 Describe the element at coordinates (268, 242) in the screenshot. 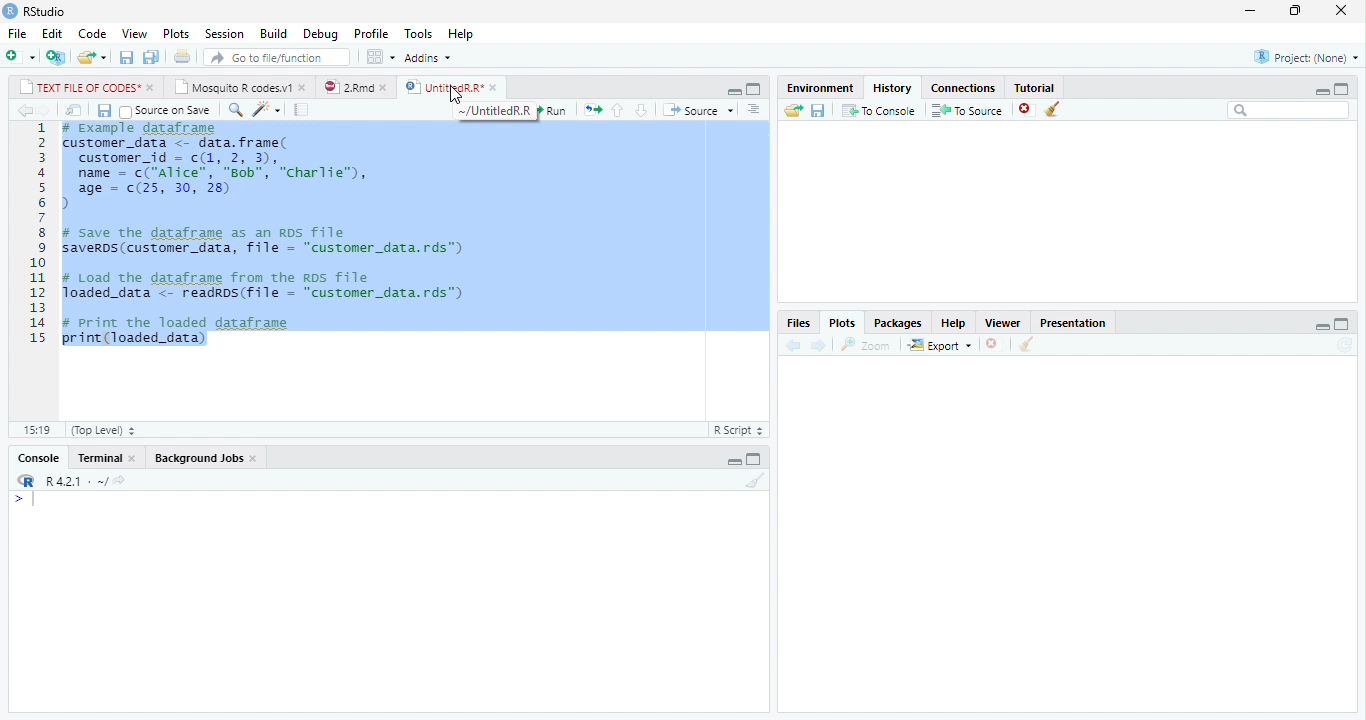

I see `# Save the dataframe as an RDS file
saverDs(customer_data, file = "customer_data.rds")` at that location.